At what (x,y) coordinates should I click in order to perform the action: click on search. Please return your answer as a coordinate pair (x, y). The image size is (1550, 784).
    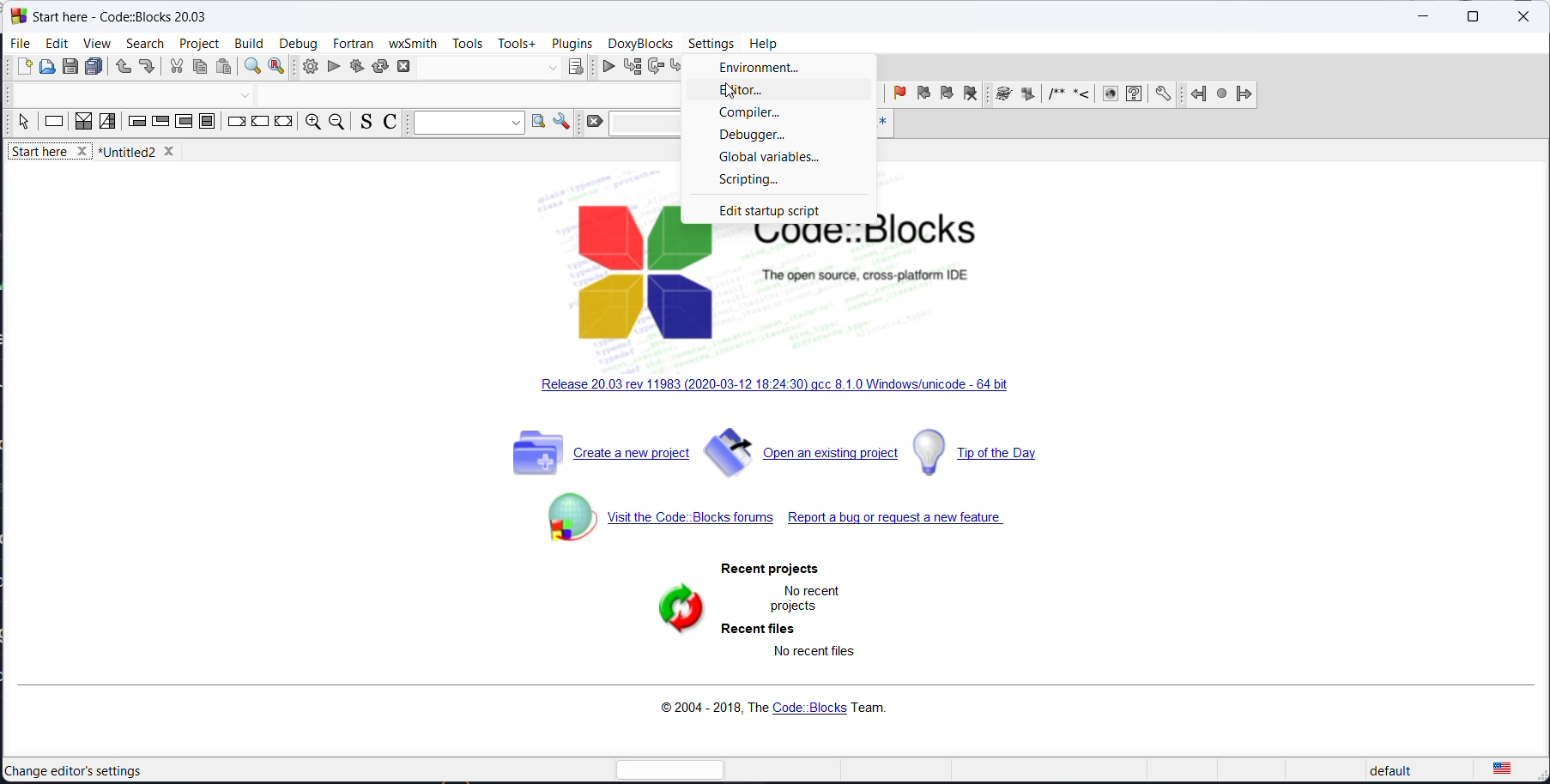
    Looking at the image, I should click on (145, 43).